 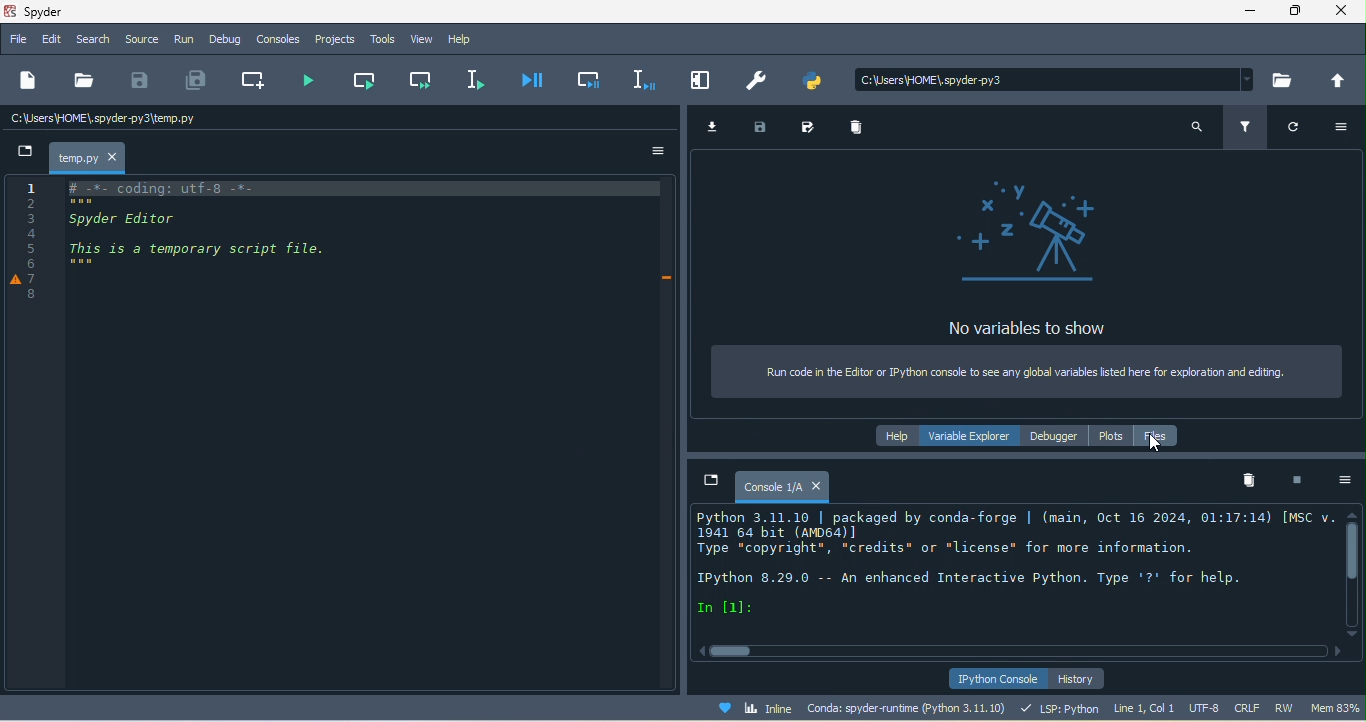 What do you see at coordinates (1290, 706) in the screenshot?
I see `rw` at bounding box center [1290, 706].